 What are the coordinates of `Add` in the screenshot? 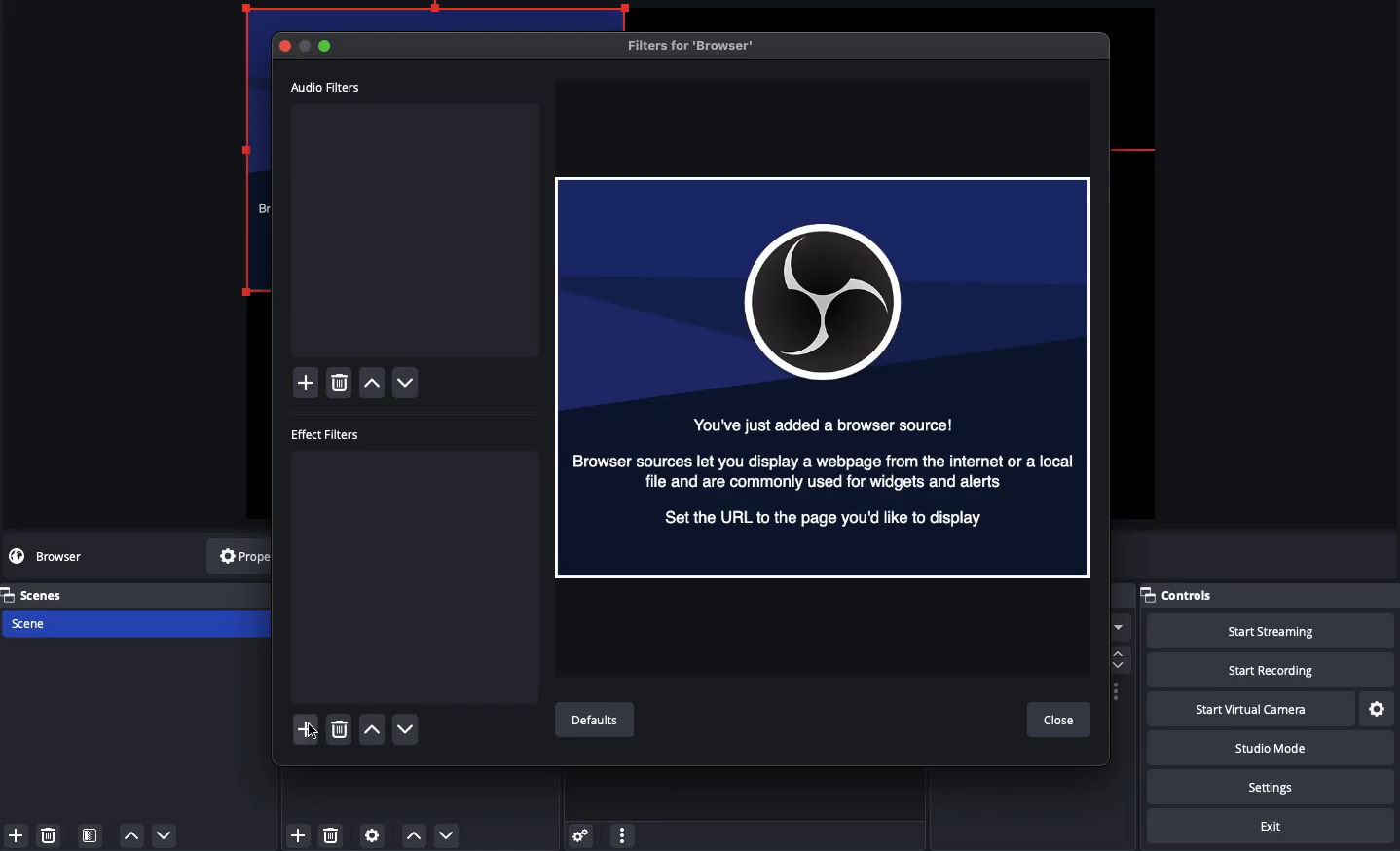 It's located at (299, 834).